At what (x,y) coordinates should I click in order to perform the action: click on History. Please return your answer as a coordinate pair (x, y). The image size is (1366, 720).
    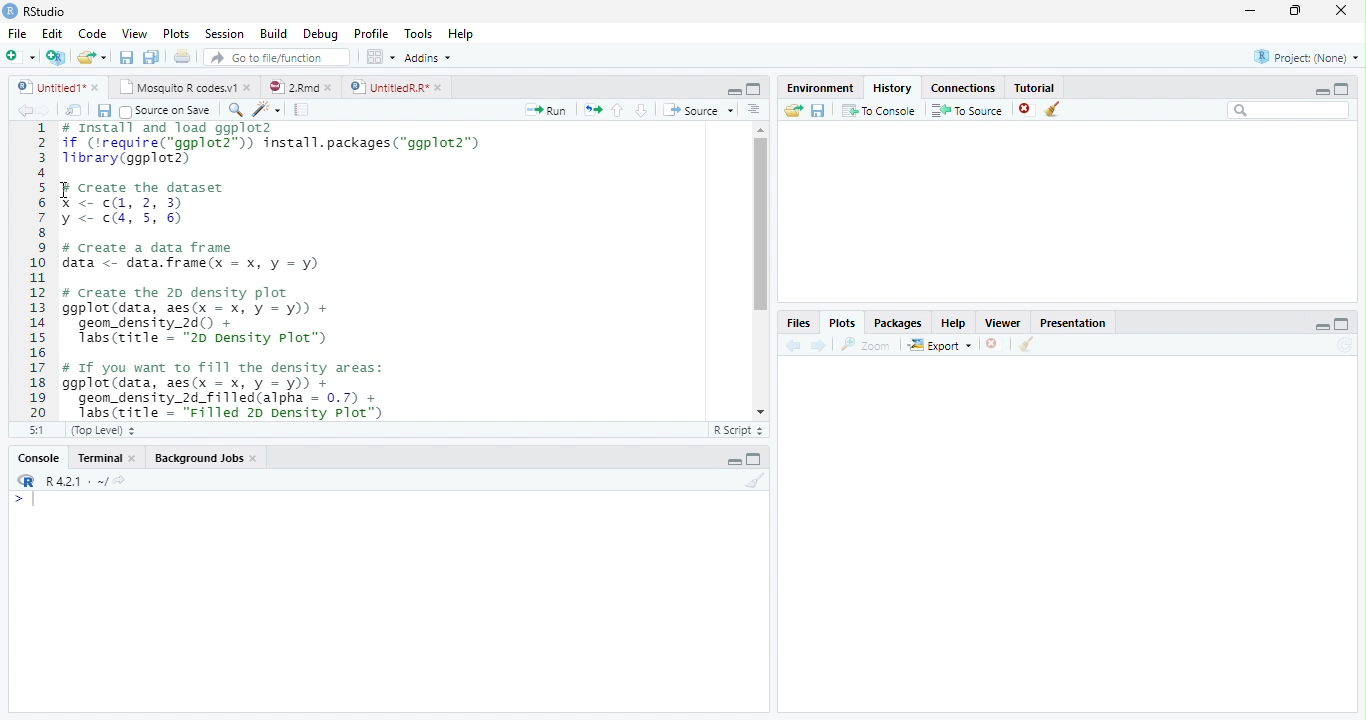
    Looking at the image, I should click on (892, 88).